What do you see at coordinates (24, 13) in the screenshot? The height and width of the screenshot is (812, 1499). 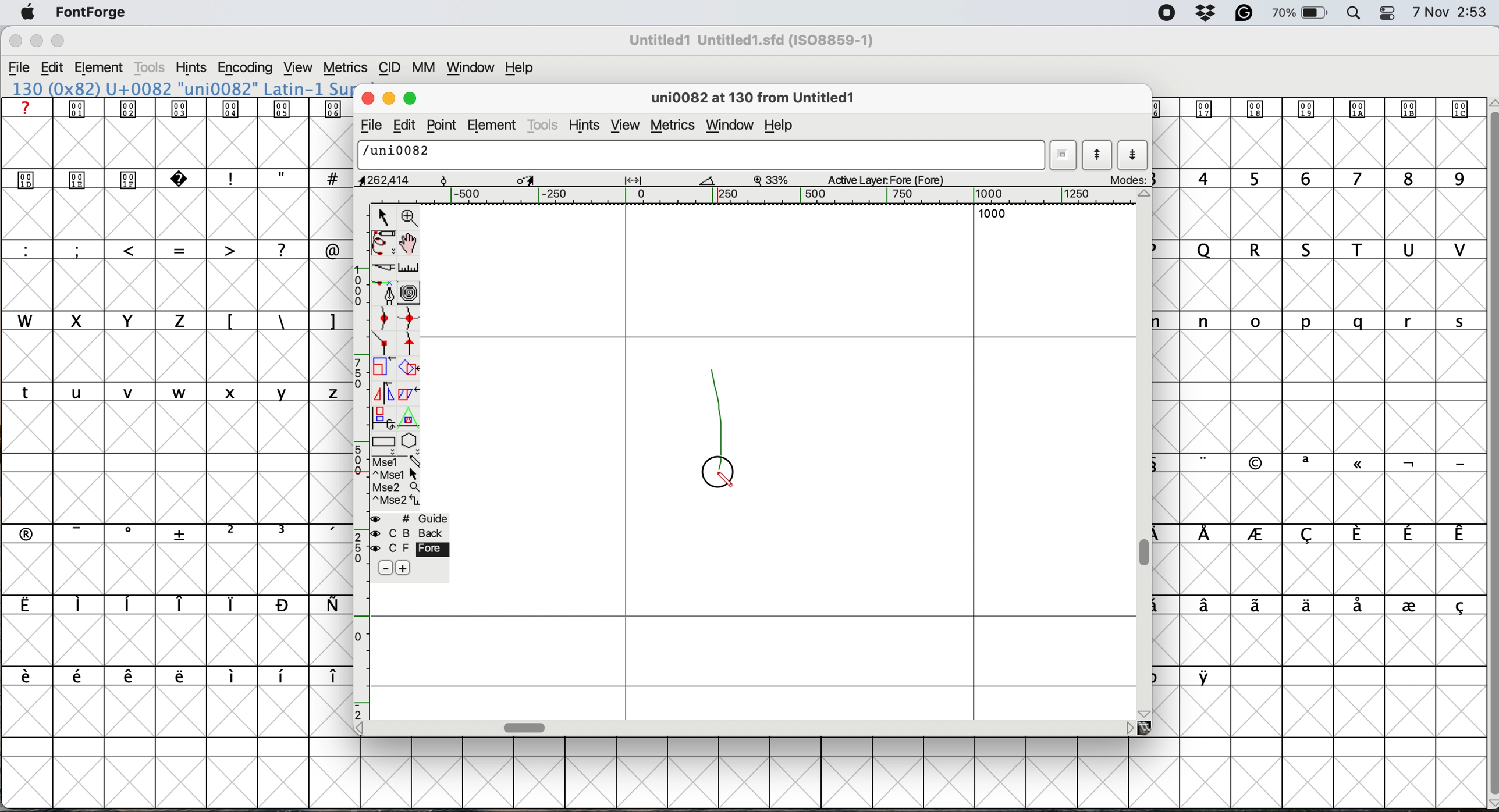 I see `system logo` at bounding box center [24, 13].